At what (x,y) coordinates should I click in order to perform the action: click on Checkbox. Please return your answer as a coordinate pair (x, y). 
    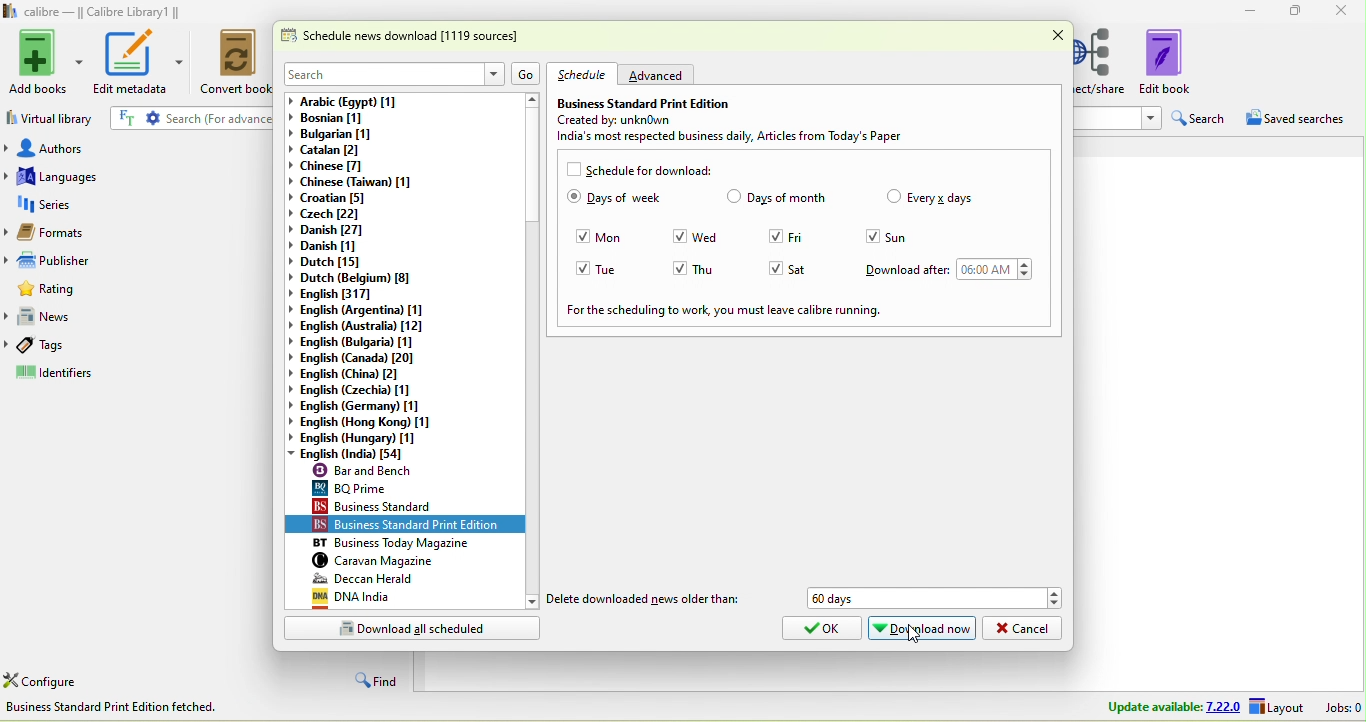
    Looking at the image, I should click on (583, 269).